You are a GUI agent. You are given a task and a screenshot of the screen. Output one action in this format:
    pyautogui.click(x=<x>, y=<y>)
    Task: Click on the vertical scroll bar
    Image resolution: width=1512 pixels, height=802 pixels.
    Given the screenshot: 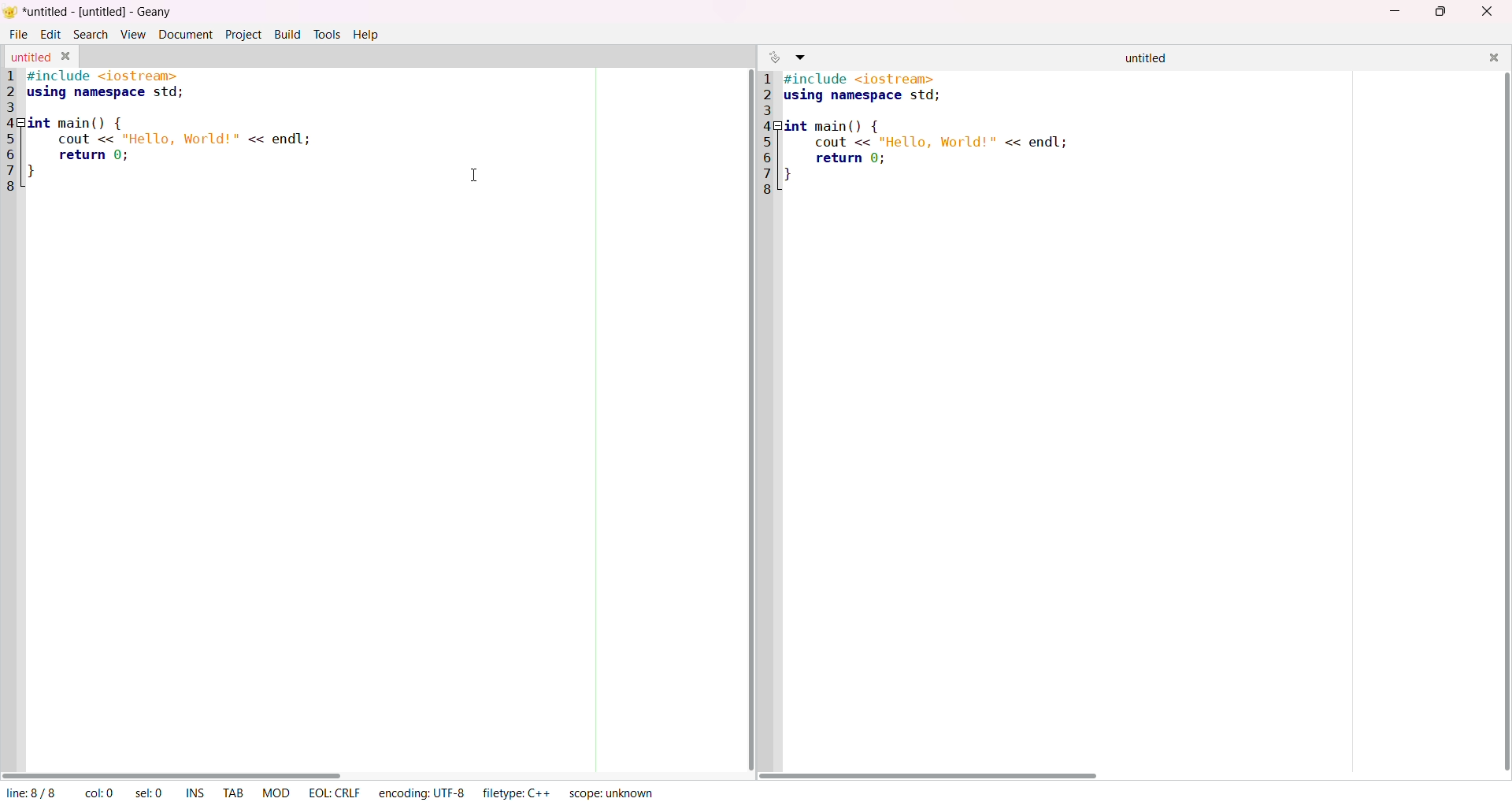 What is the action you would take?
    pyautogui.click(x=1502, y=421)
    